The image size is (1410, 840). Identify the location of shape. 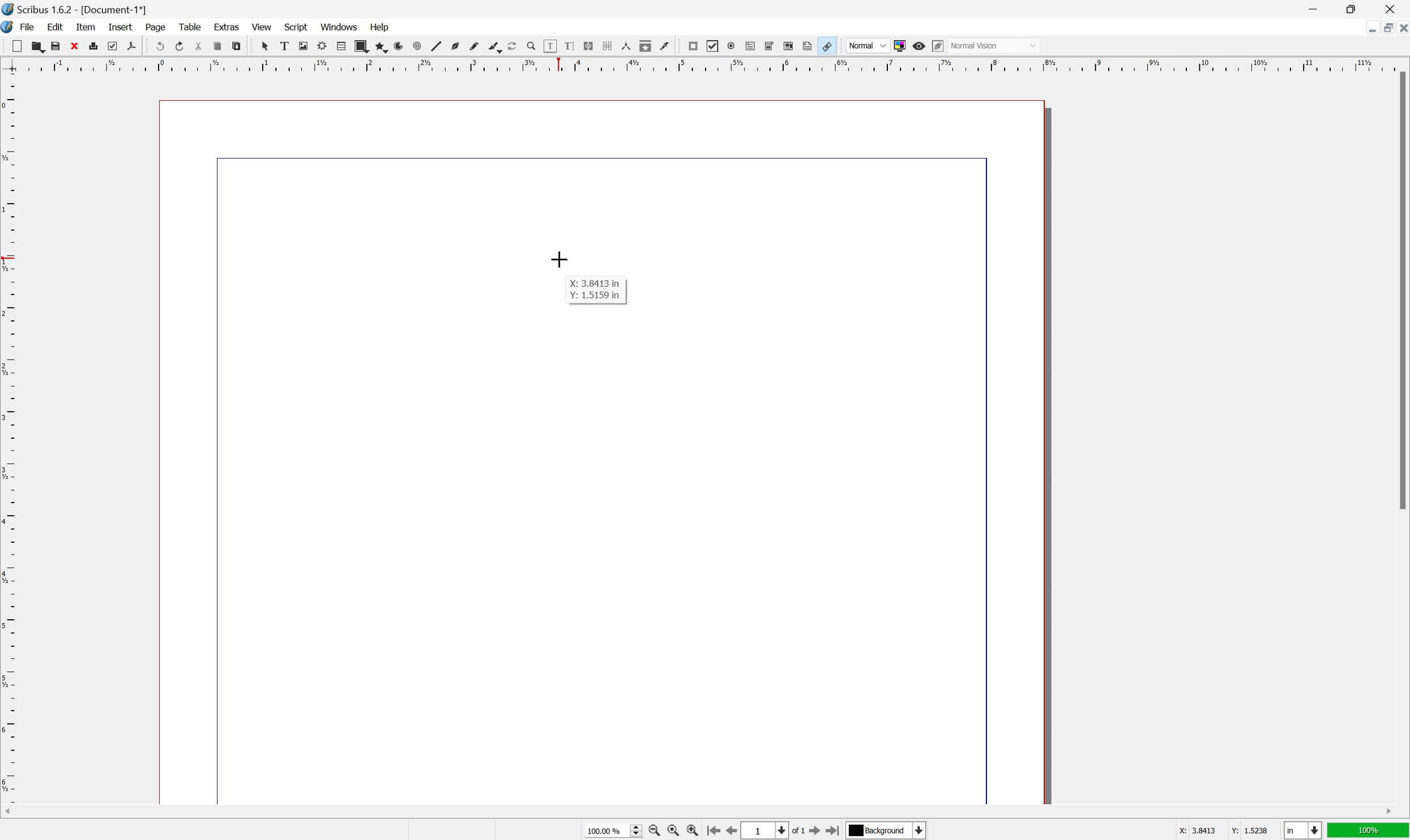
(361, 46).